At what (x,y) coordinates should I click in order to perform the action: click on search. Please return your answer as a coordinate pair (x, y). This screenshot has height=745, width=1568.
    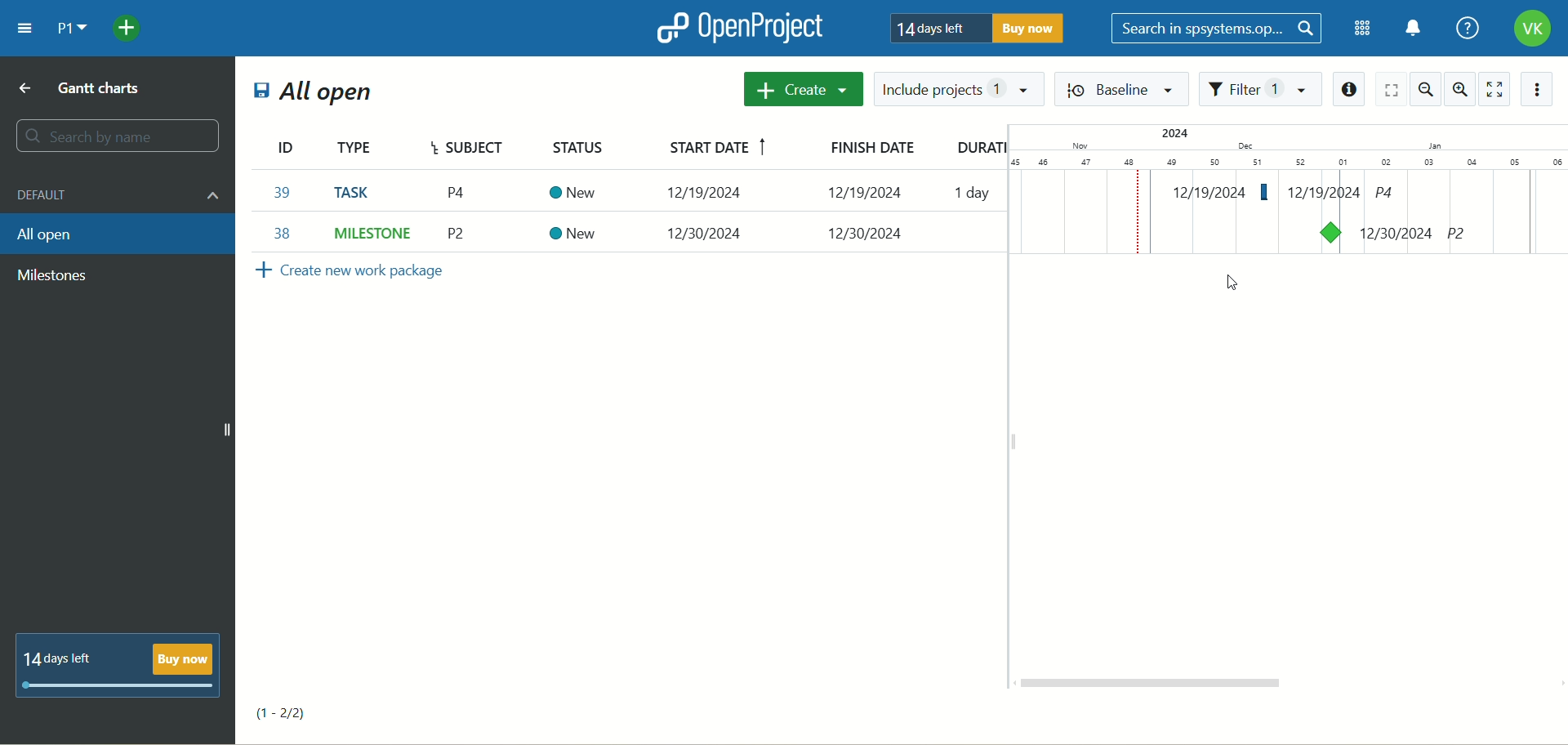
    Looking at the image, I should click on (1218, 29).